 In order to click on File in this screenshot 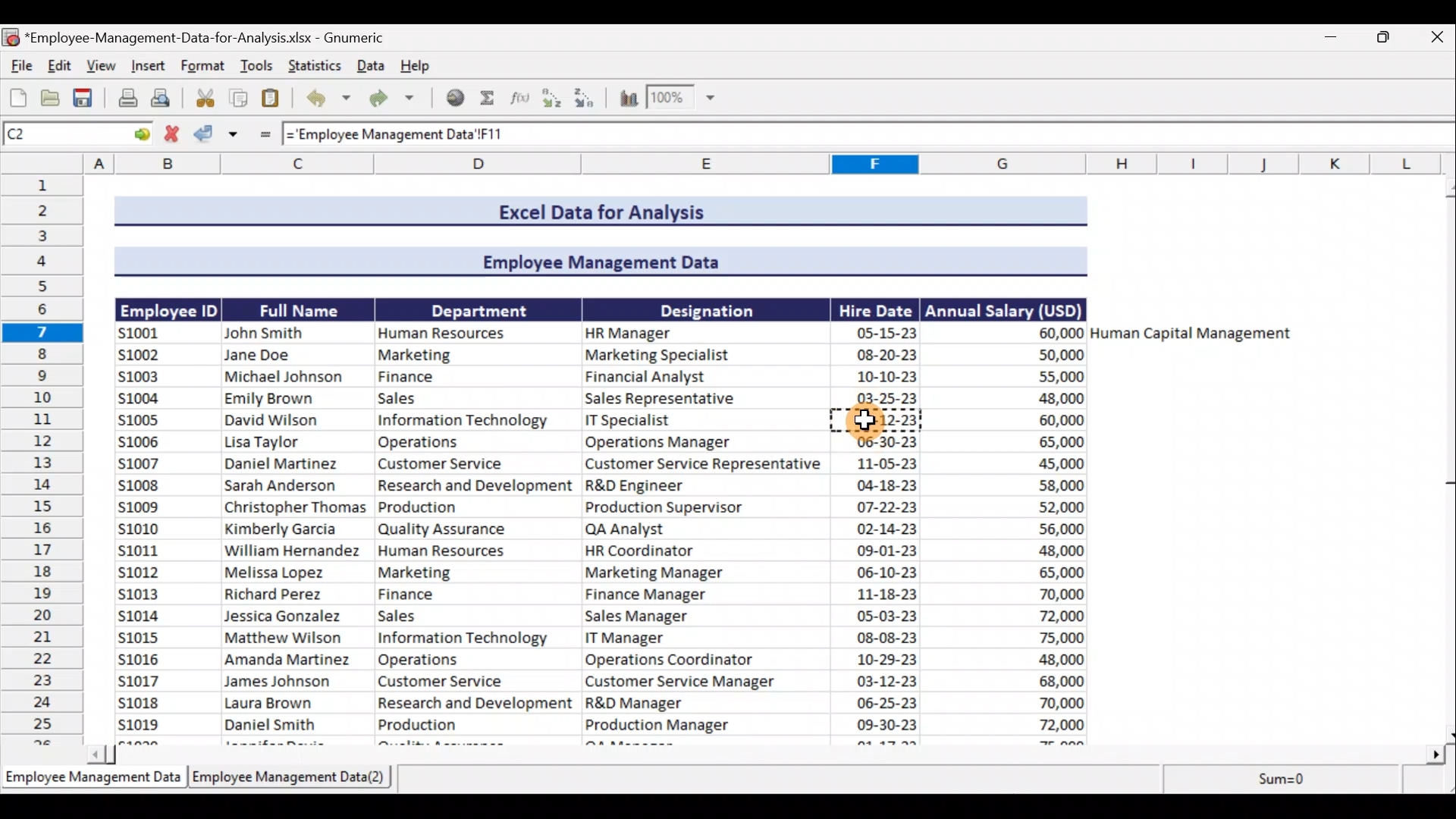, I will do `click(17, 65)`.